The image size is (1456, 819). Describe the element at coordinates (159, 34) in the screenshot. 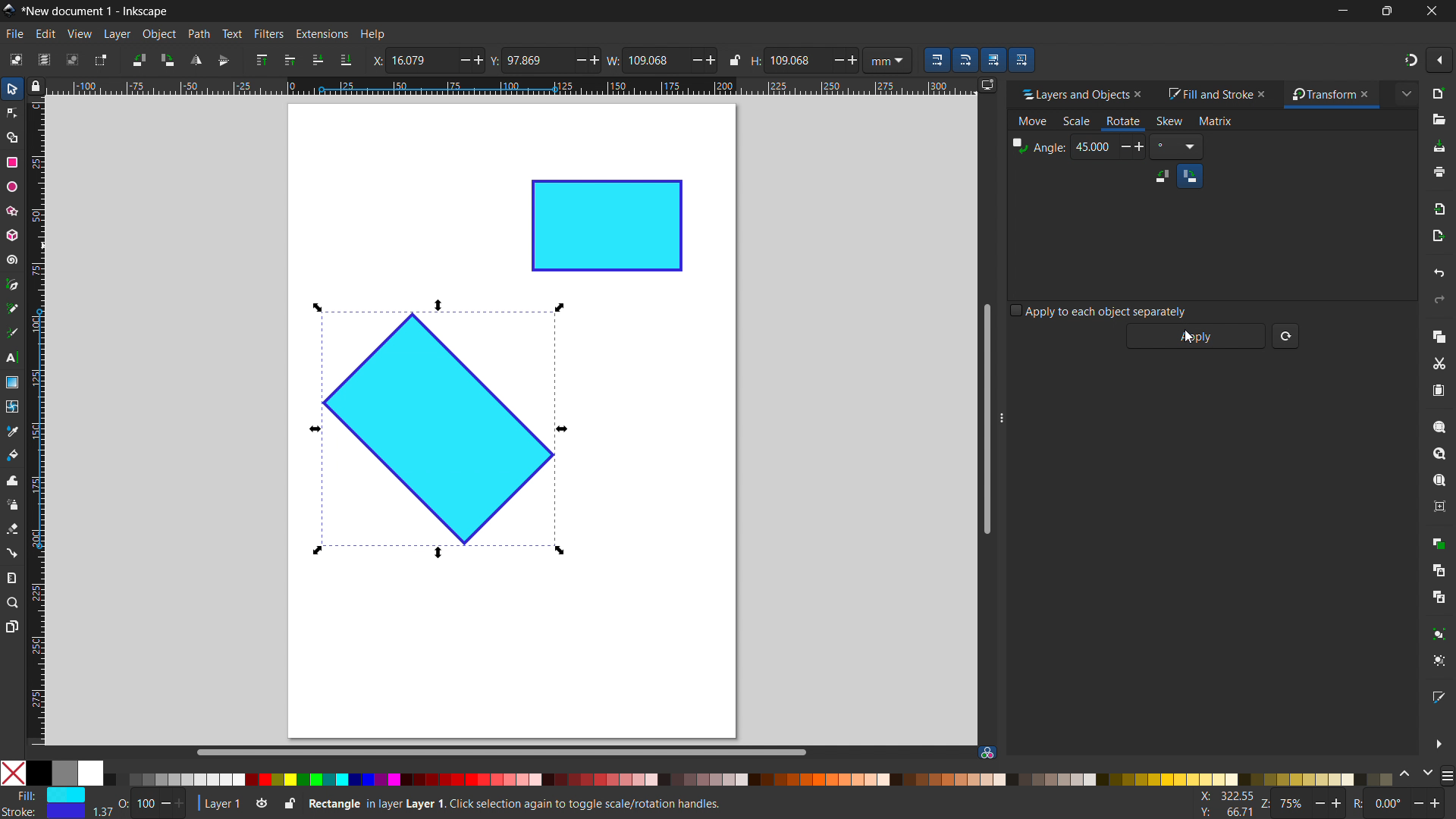

I see `object` at that location.